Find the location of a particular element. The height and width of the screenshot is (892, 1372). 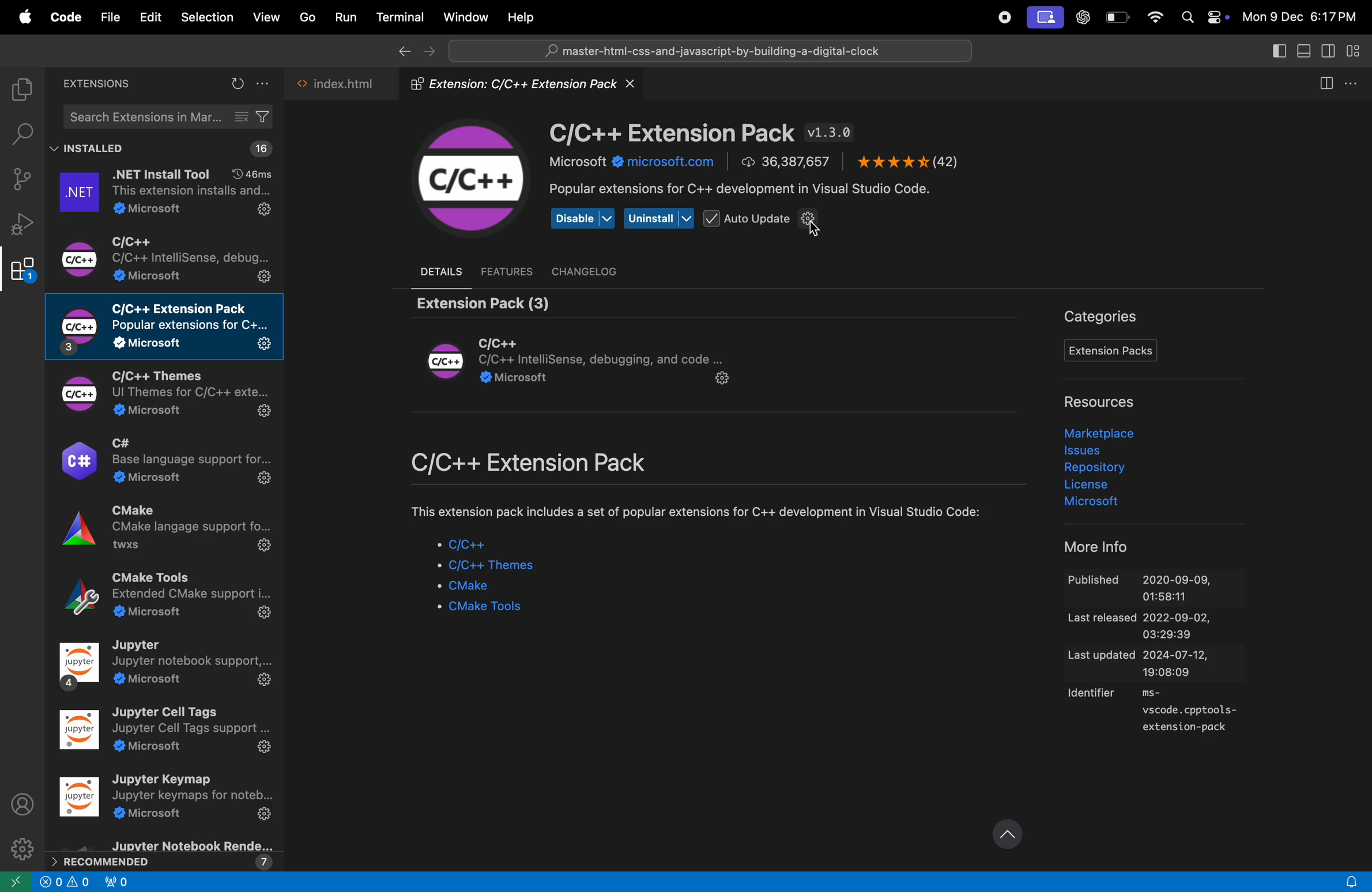

index.html is located at coordinates (342, 82).